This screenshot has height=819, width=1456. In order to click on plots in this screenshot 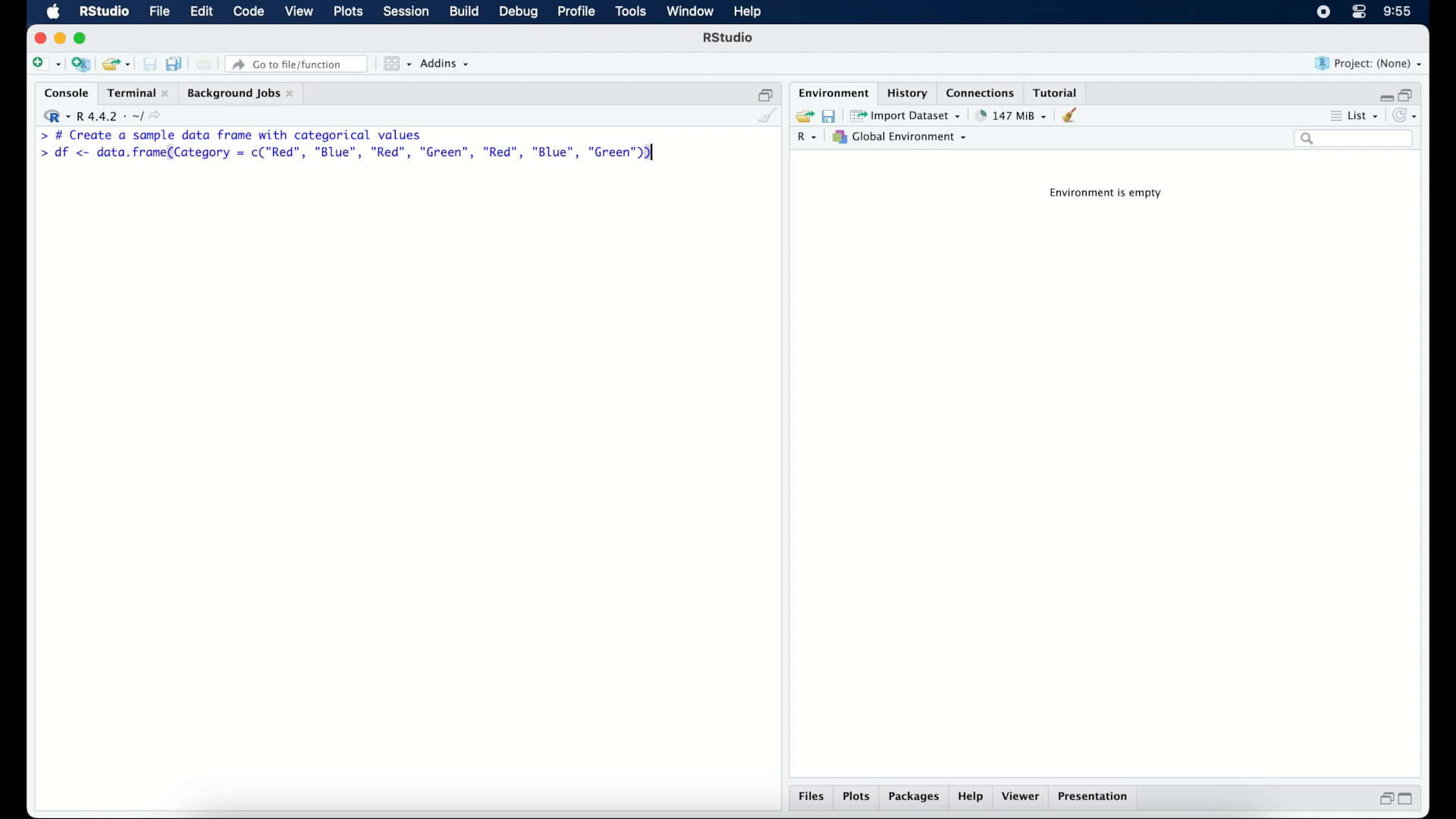, I will do `click(857, 798)`.